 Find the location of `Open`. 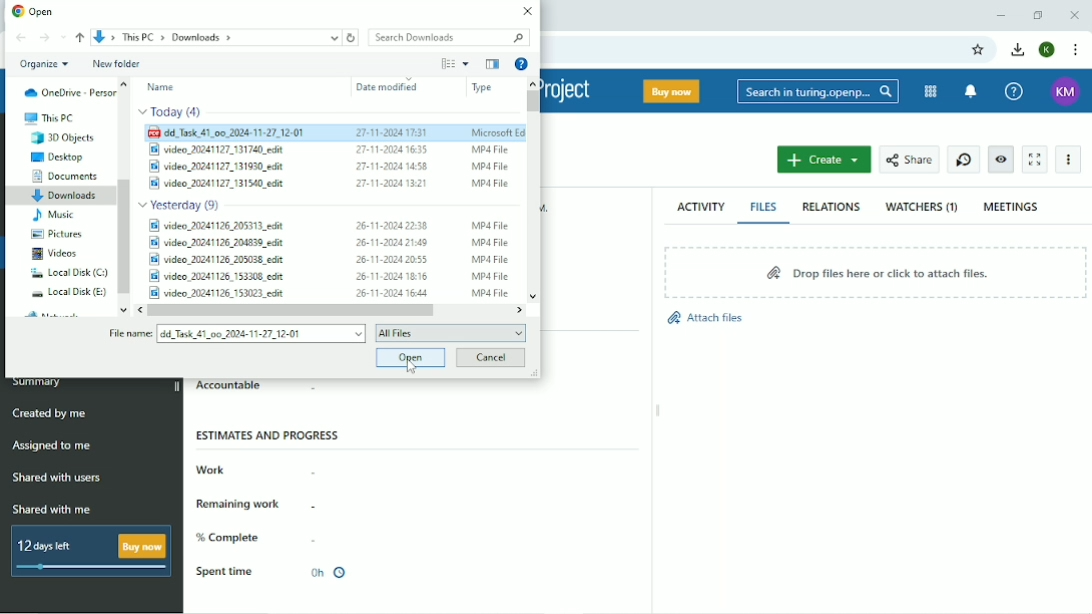

Open is located at coordinates (408, 358).